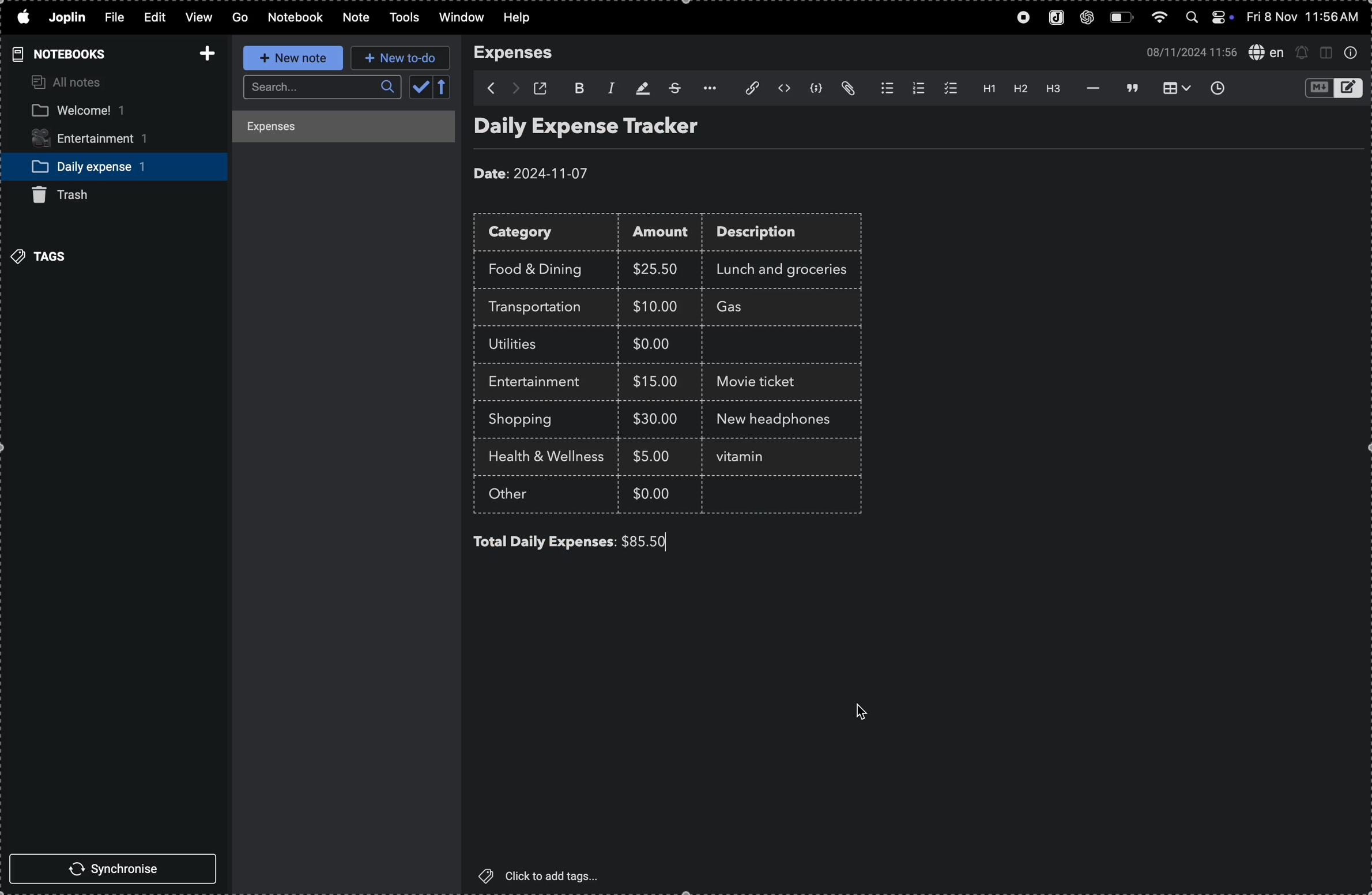  Describe the element at coordinates (546, 875) in the screenshot. I see `click to add tags` at that location.